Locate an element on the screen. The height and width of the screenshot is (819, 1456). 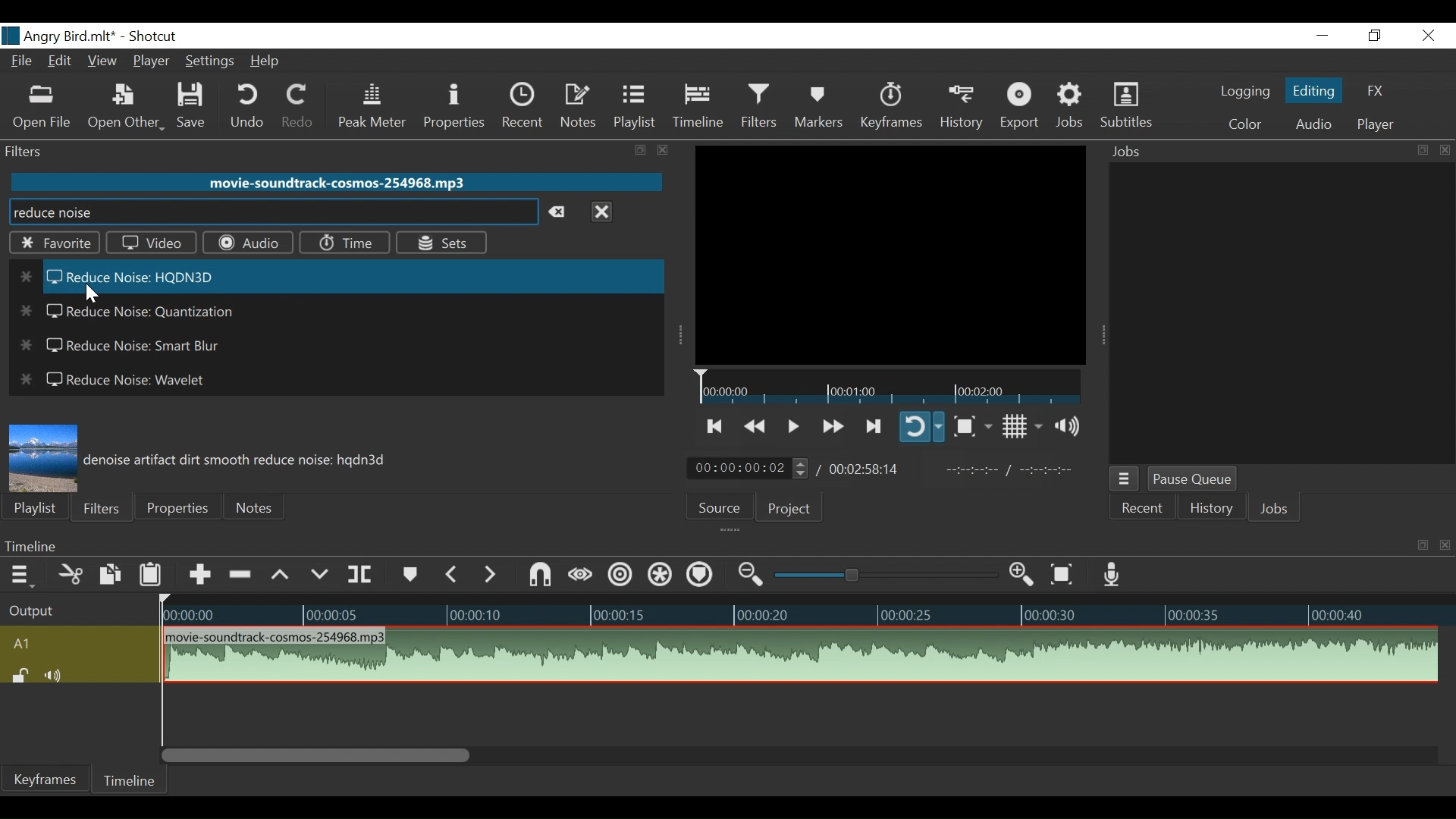
close is located at coordinates (1442, 544).